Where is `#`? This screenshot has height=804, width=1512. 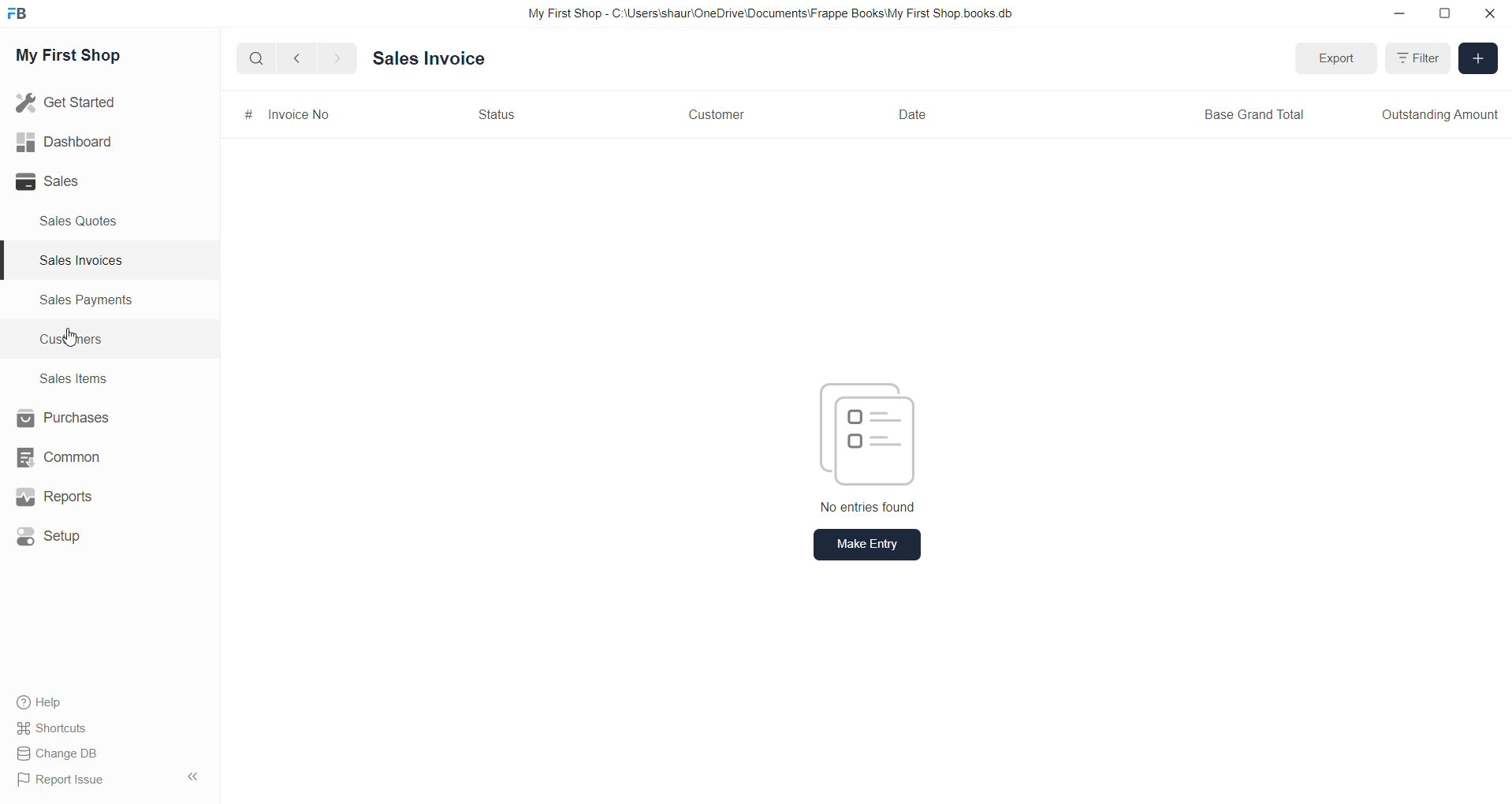 # is located at coordinates (244, 117).